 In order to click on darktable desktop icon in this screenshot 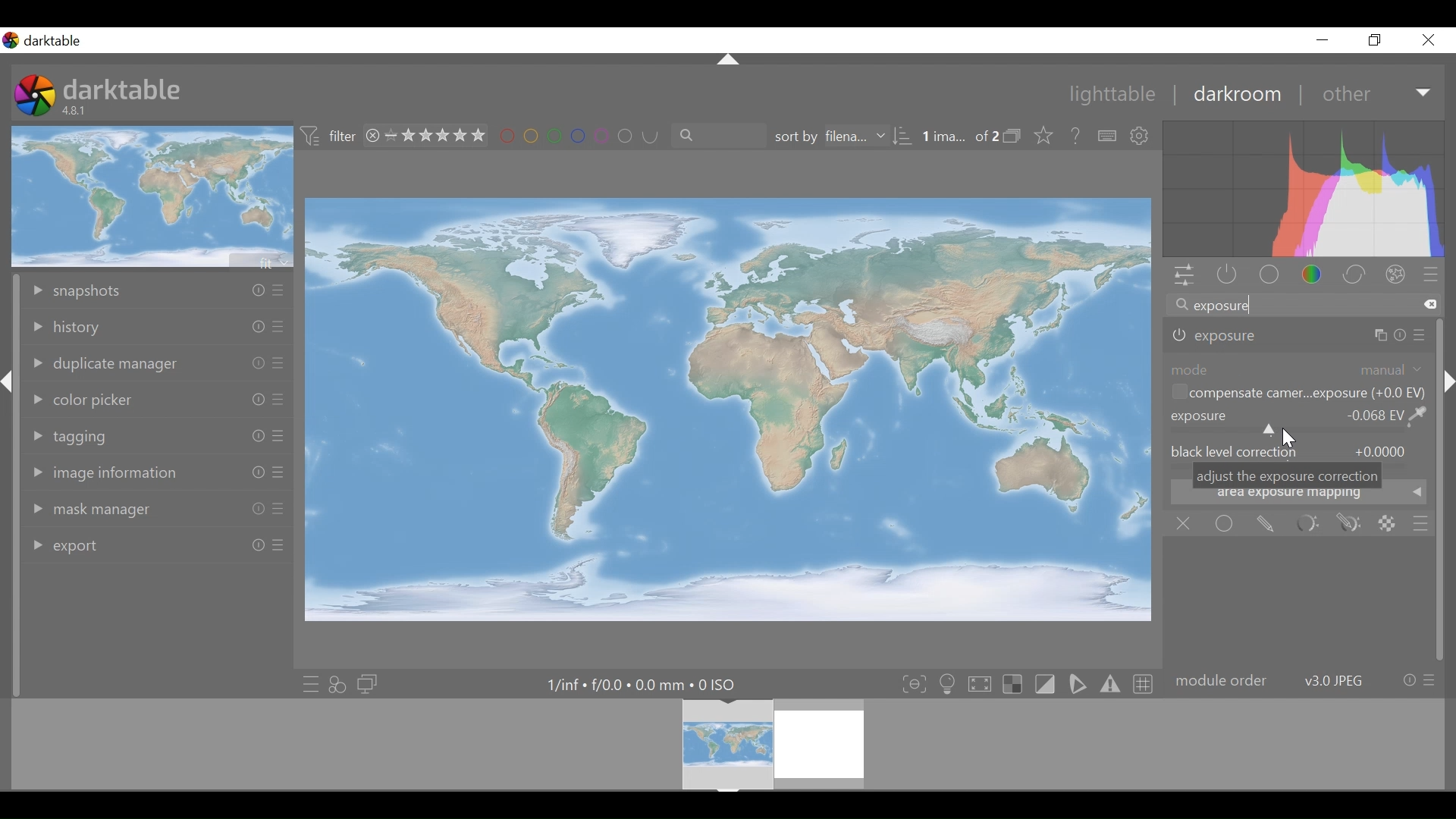, I will do `click(35, 96)`.